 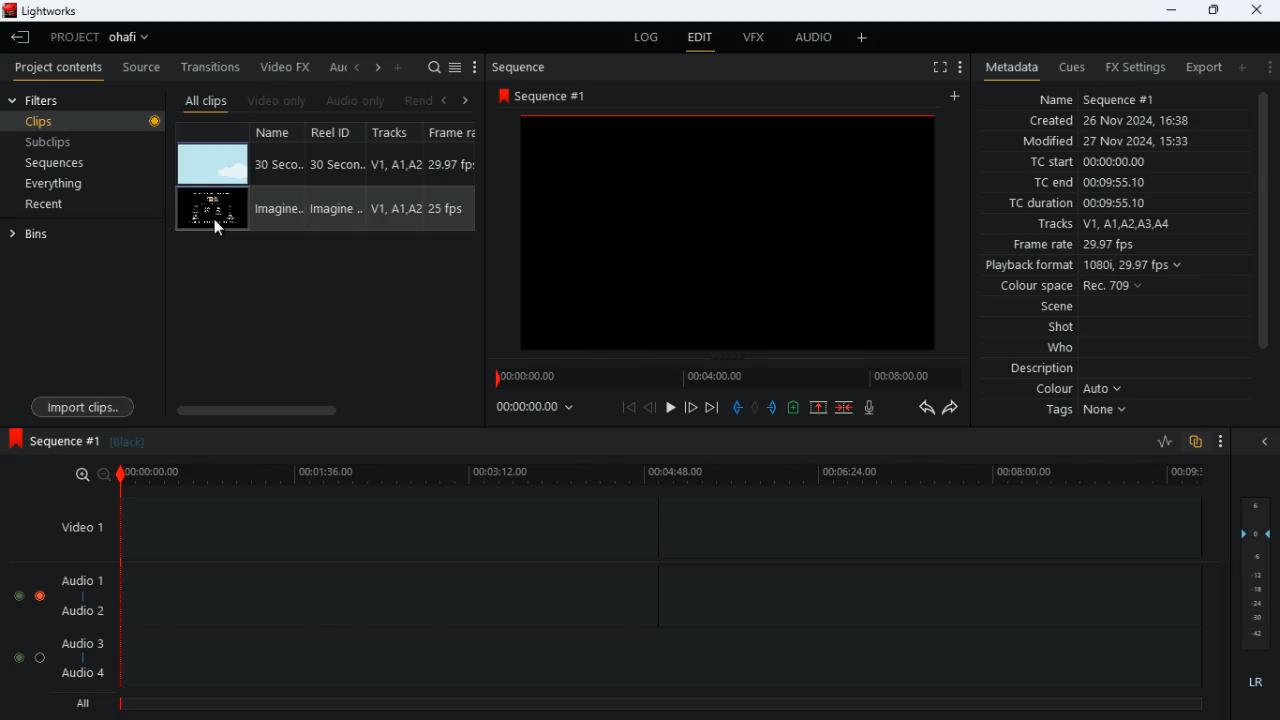 I want to click on more, so click(x=475, y=67).